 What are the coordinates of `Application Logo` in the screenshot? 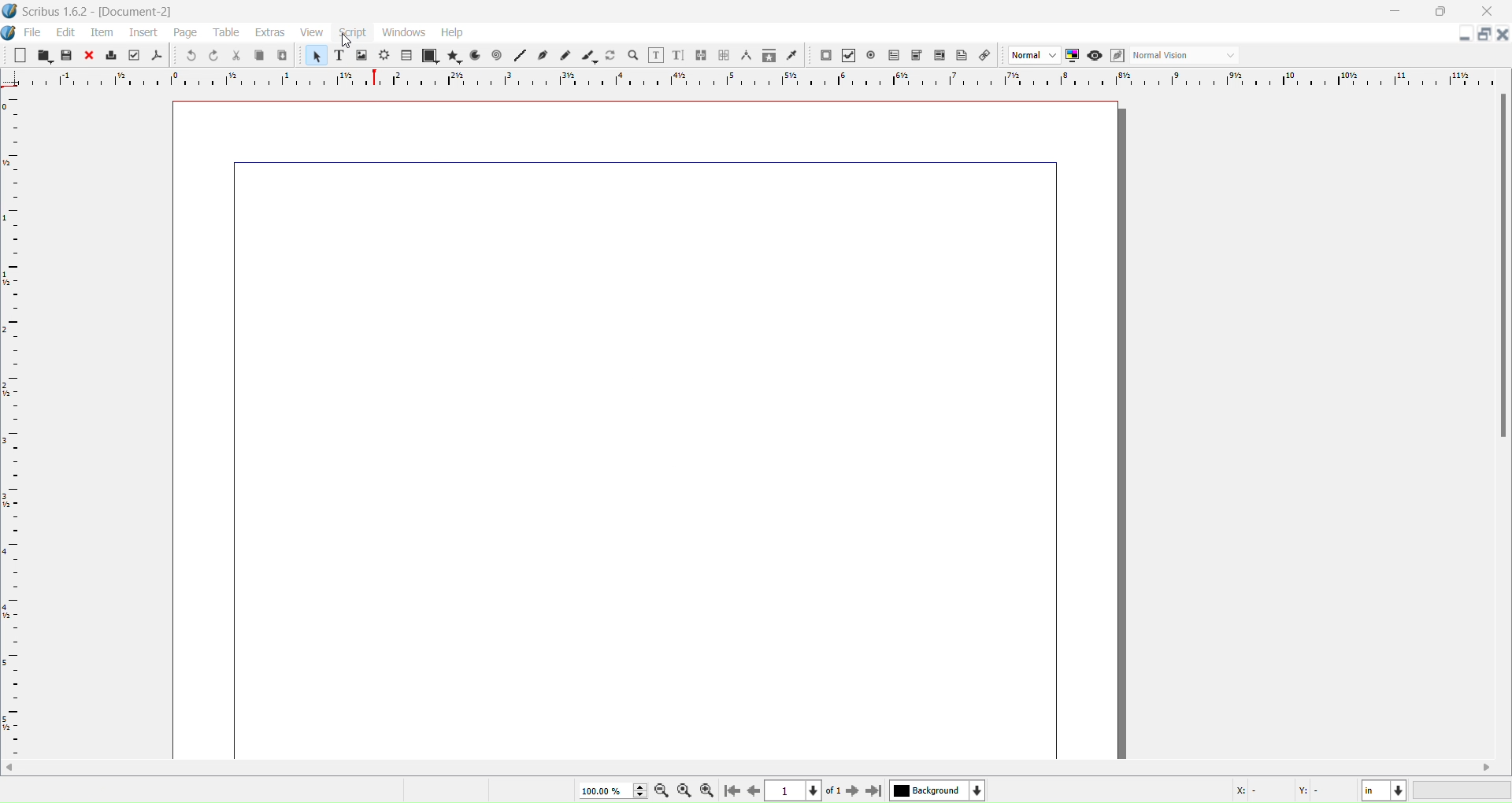 It's located at (9, 12).